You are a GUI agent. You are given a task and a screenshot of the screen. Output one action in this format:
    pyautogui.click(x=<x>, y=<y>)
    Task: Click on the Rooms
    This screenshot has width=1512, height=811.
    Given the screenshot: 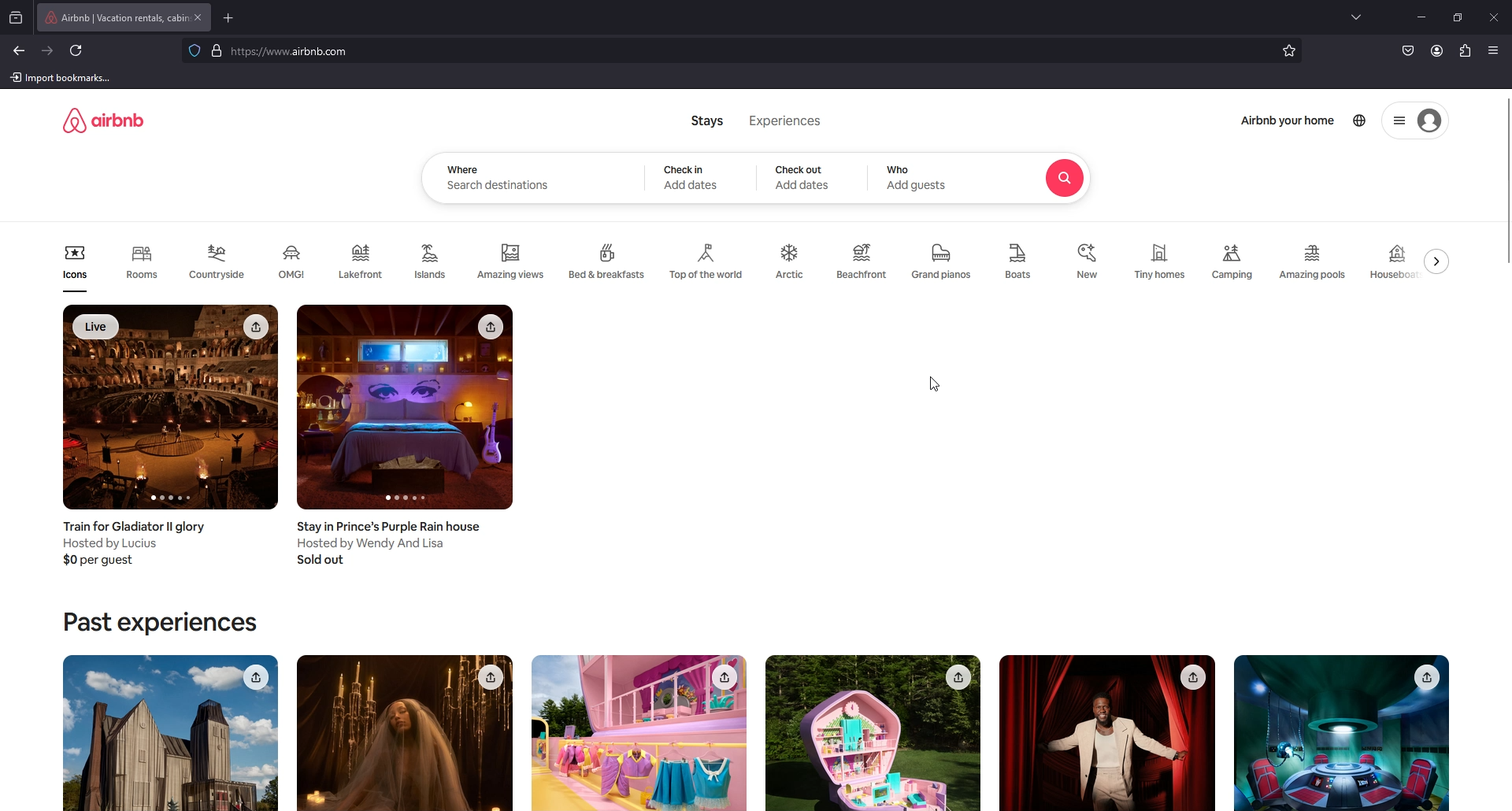 What is the action you would take?
    pyautogui.click(x=141, y=267)
    